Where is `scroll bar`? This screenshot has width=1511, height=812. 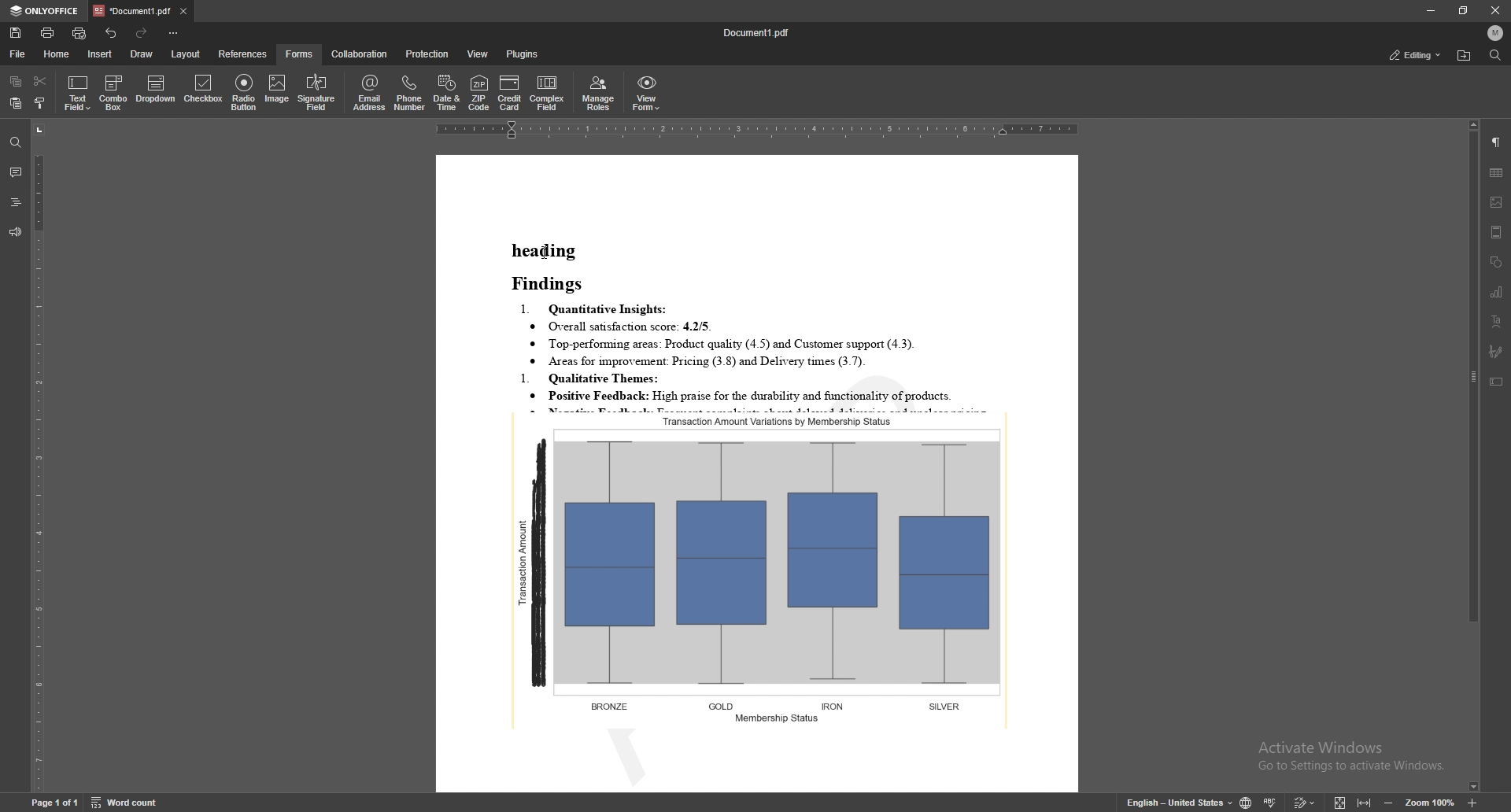 scroll bar is located at coordinates (1471, 456).